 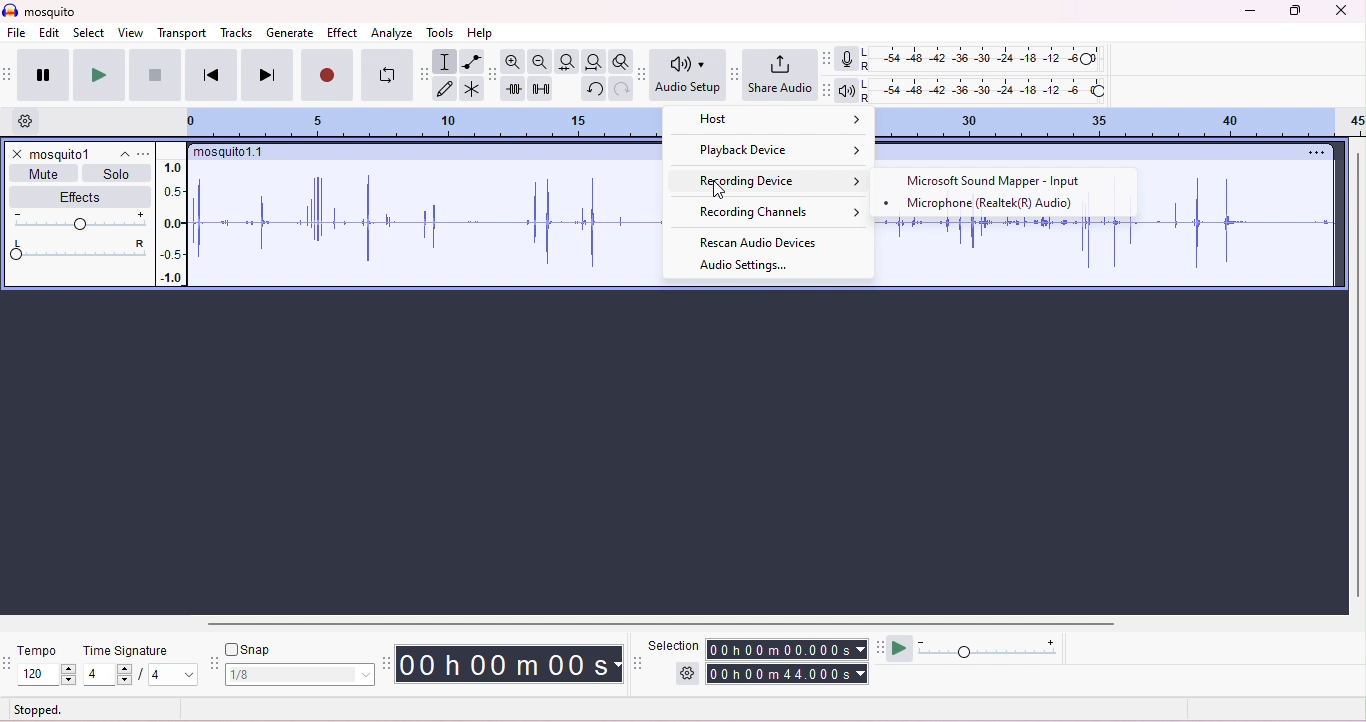 I want to click on recording level, so click(x=986, y=59).